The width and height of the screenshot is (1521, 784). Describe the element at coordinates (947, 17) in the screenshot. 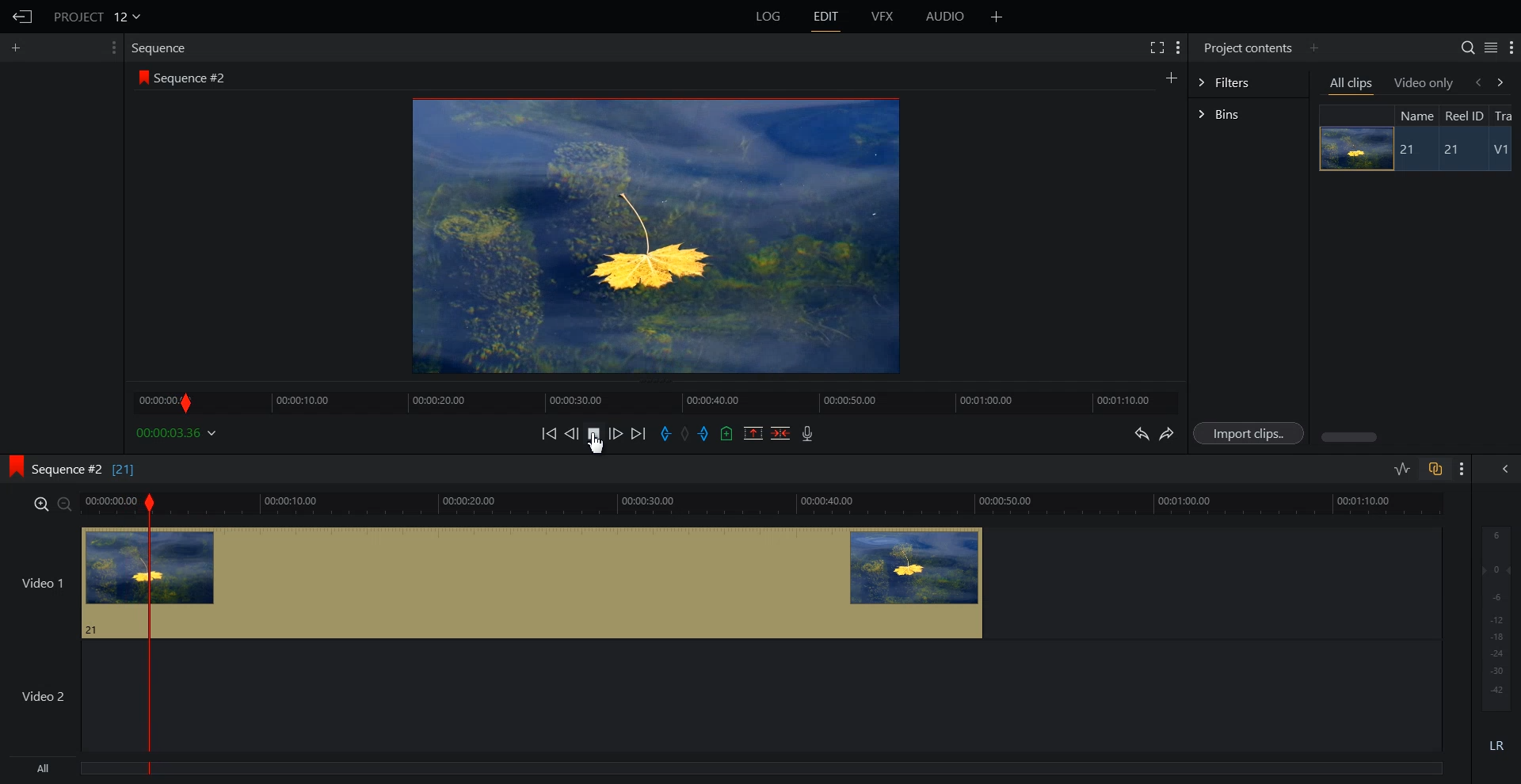

I see `AUDIO` at that location.